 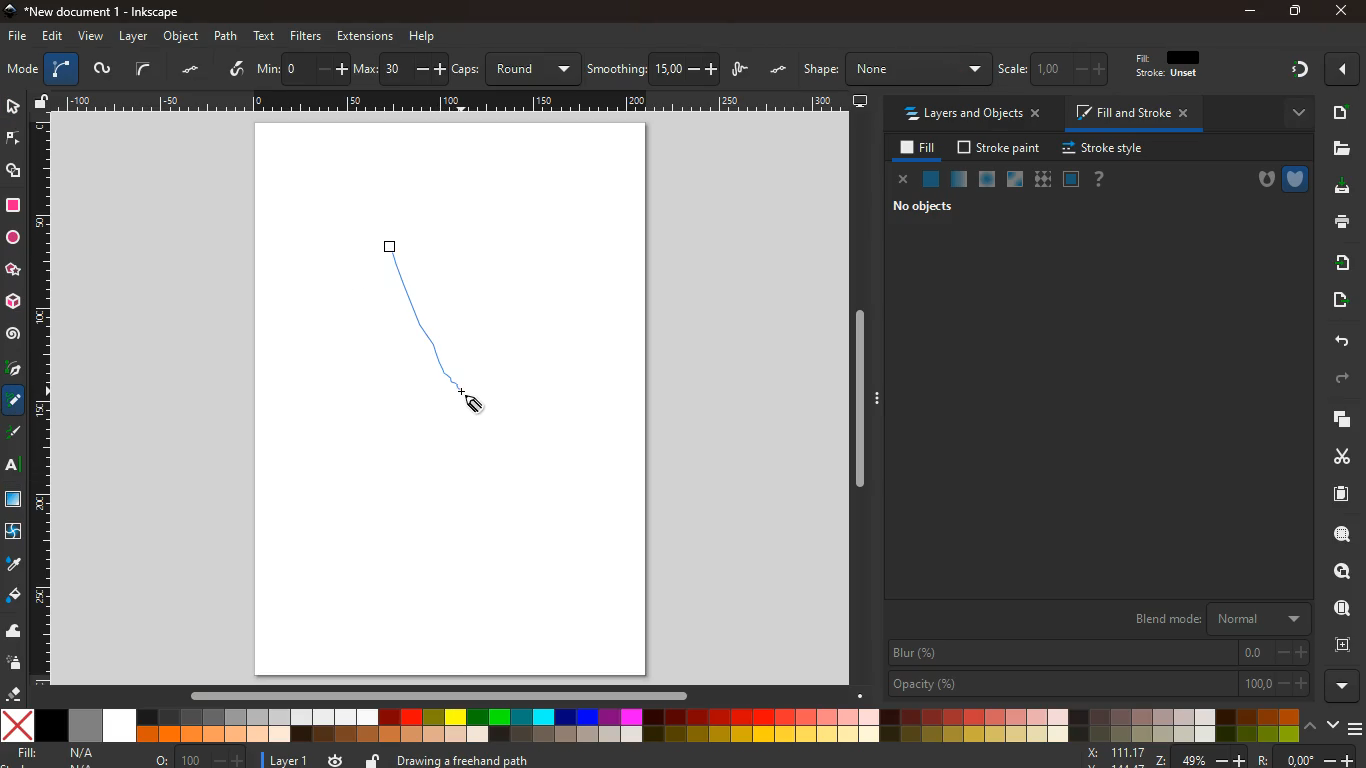 What do you see at coordinates (15, 596) in the screenshot?
I see `paint` at bounding box center [15, 596].